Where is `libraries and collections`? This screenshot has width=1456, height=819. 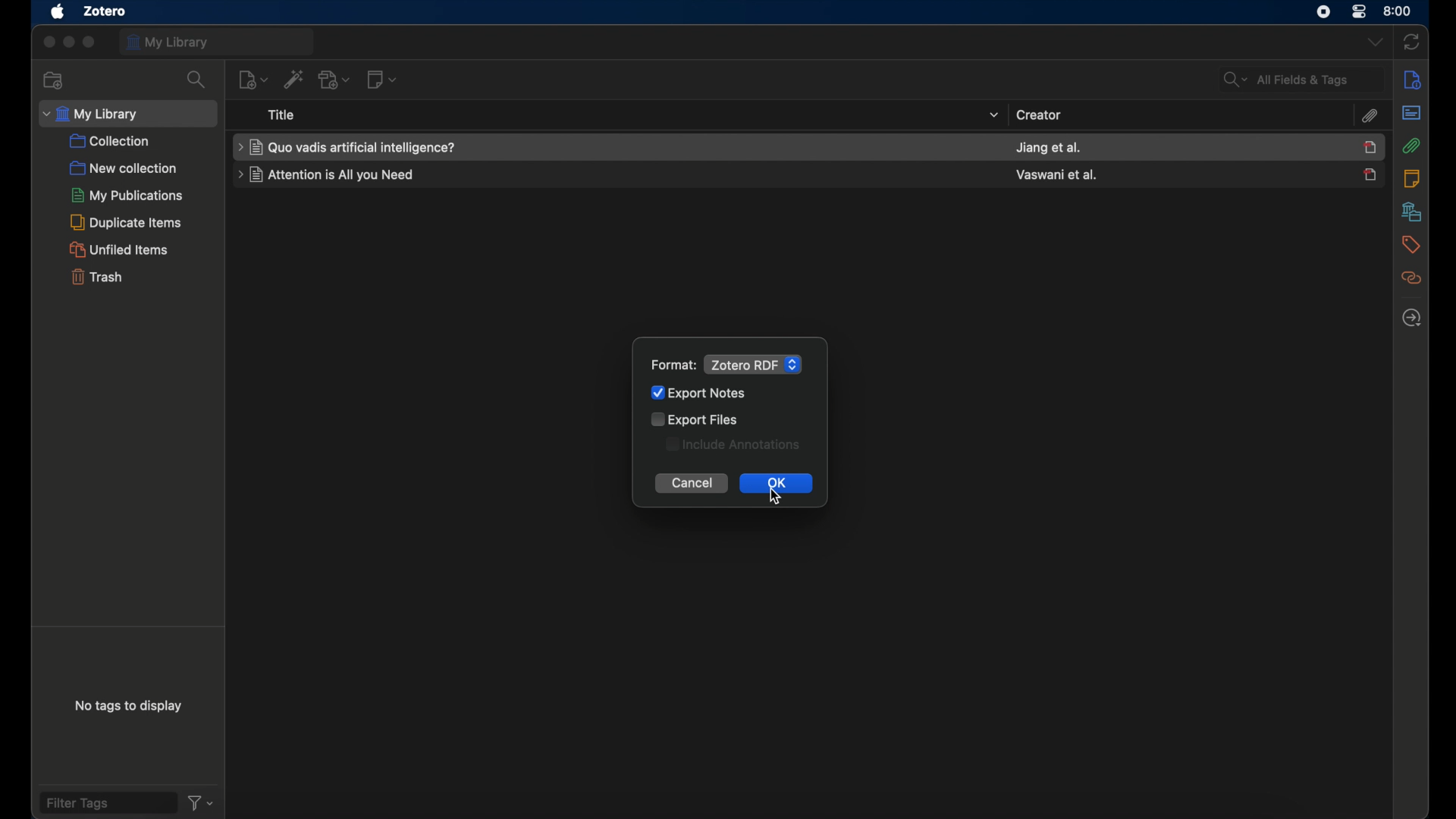 libraries and collections is located at coordinates (1410, 212).